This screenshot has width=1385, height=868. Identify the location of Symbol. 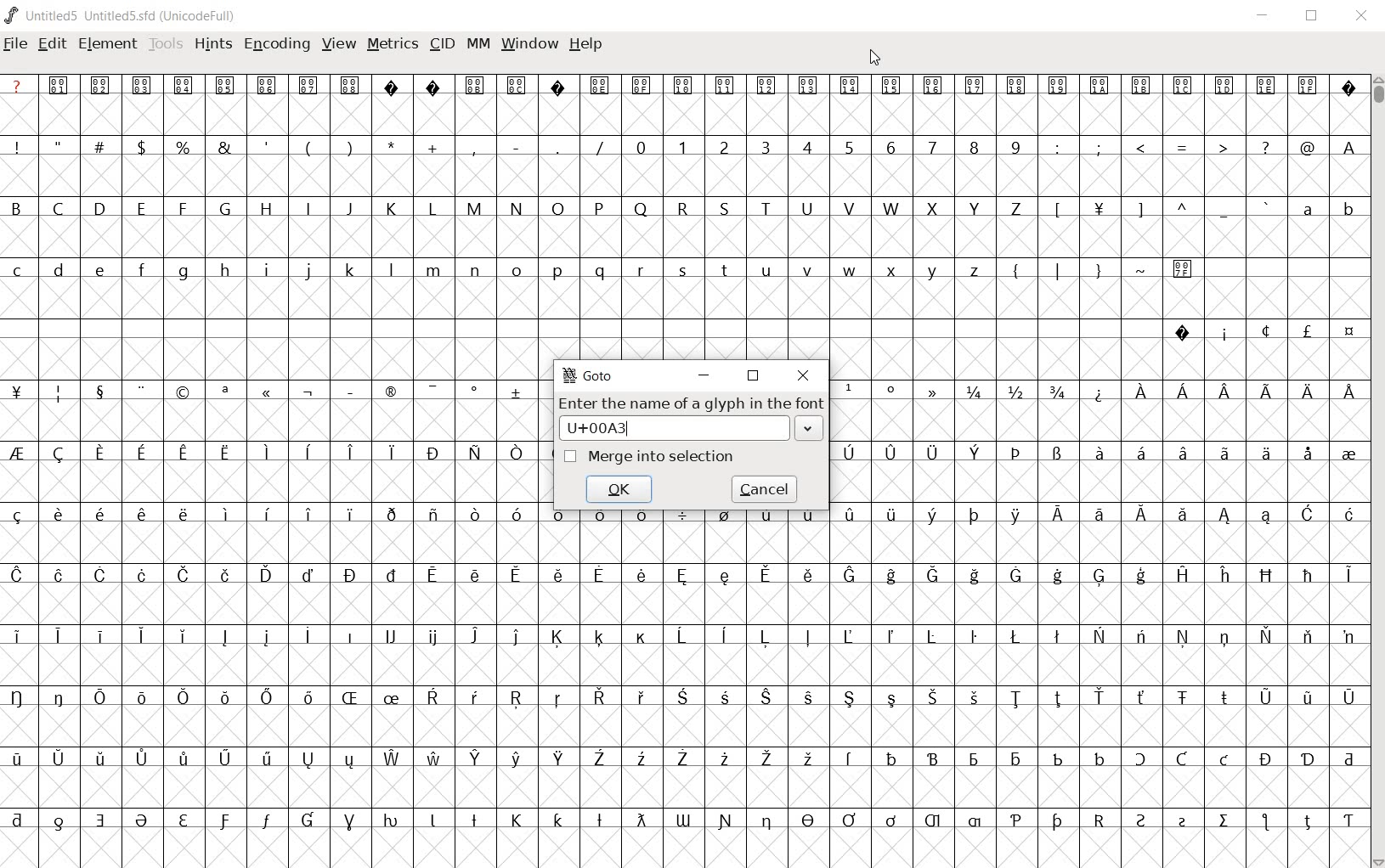
(766, 699).